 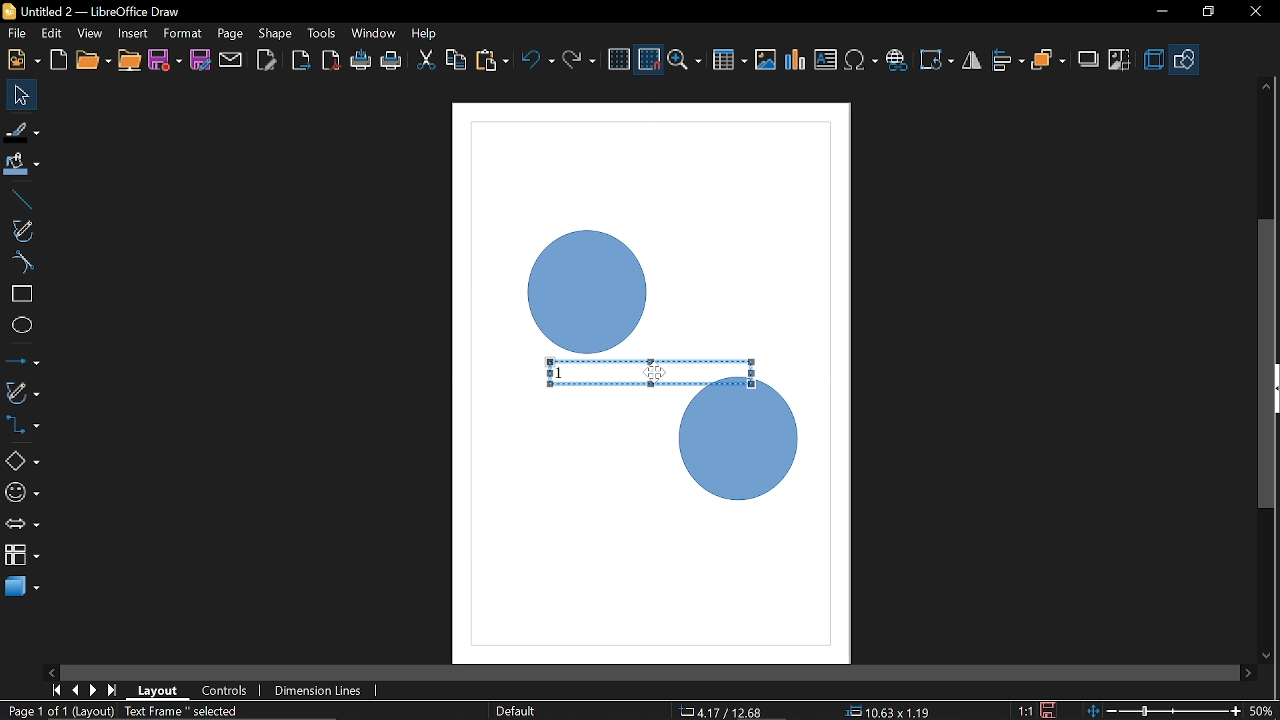 What do you see at coordinates (22, 496) in the screenshot?
I see `symbol shapes` at bounding box center [22, 496].